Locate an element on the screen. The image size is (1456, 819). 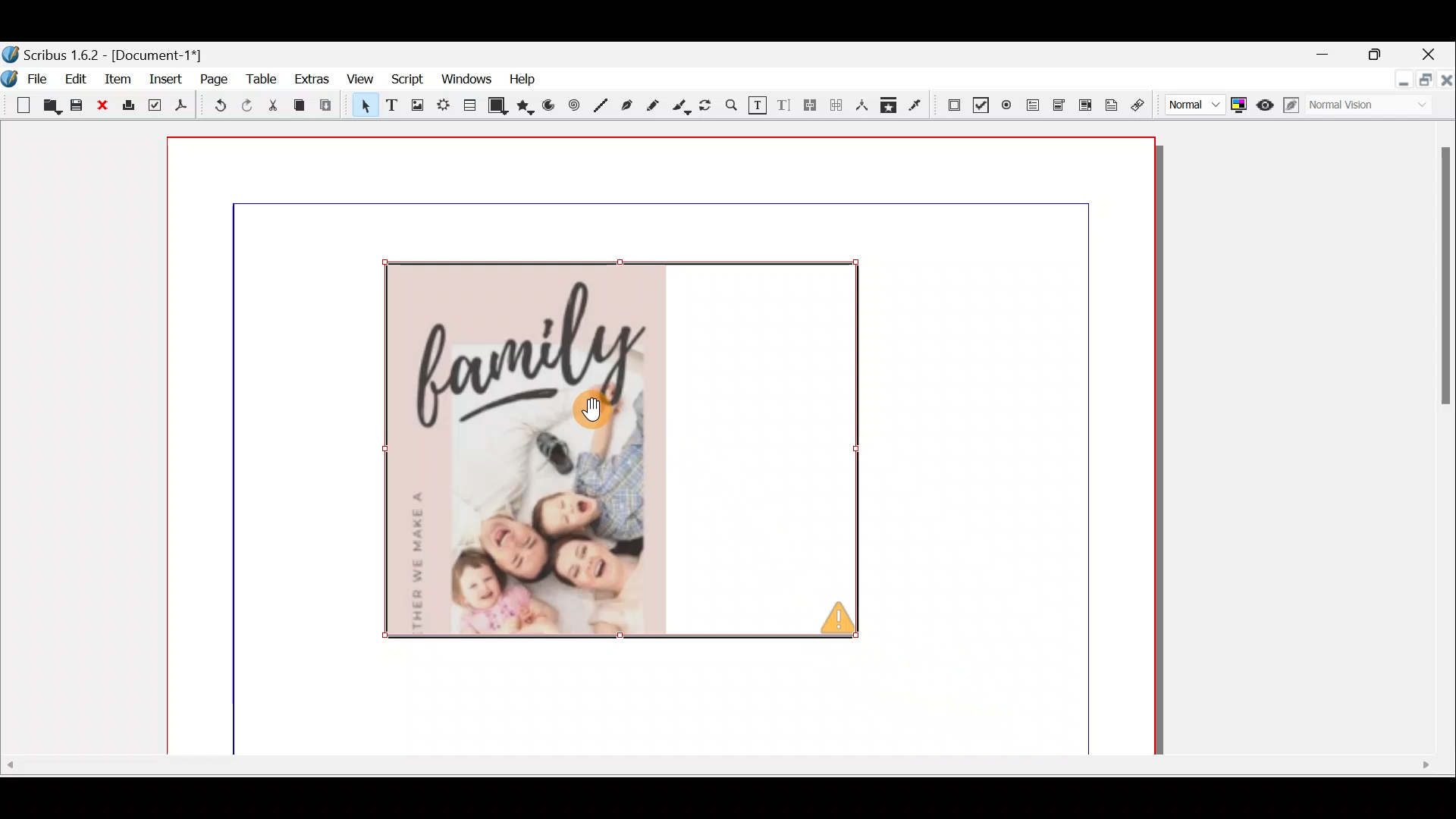
cursor is located at coordinates (592, 410).